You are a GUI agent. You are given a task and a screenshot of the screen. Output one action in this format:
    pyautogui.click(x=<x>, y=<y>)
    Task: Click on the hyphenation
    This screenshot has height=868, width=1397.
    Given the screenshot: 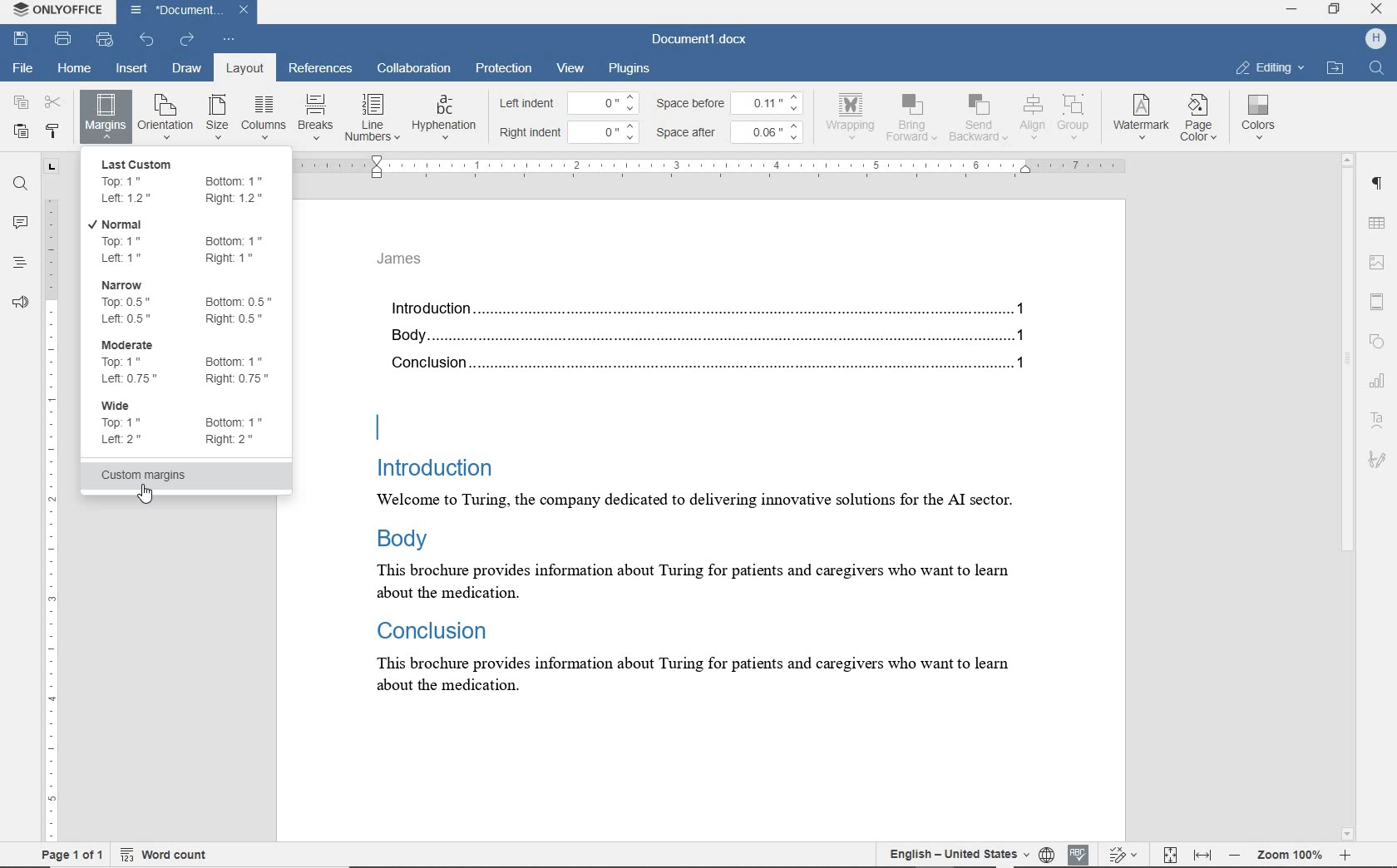 What is the action you would take?
    pyautogui.click(x=444, y=118)
    